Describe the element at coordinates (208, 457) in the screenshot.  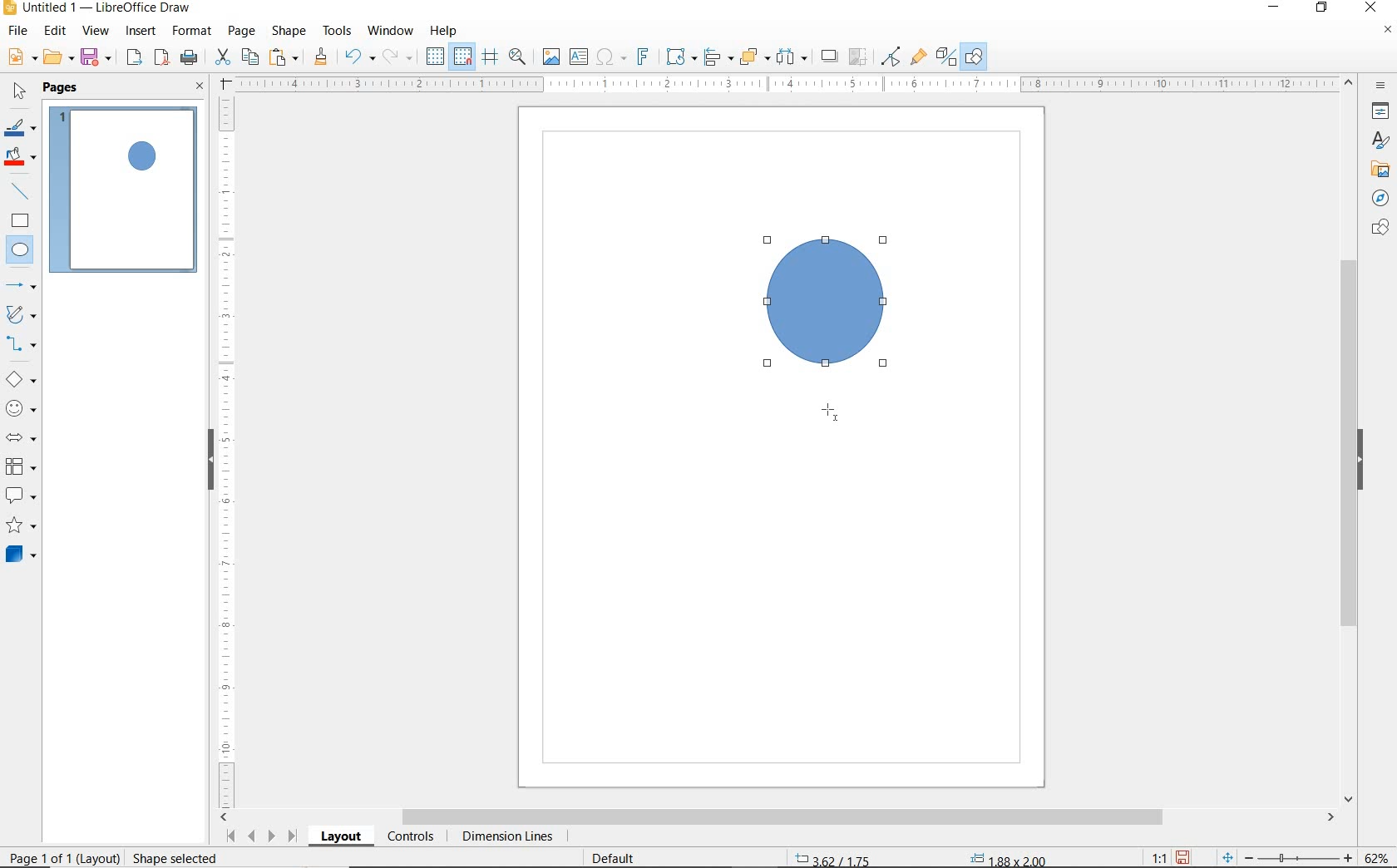
I see `HIDE` at that location.